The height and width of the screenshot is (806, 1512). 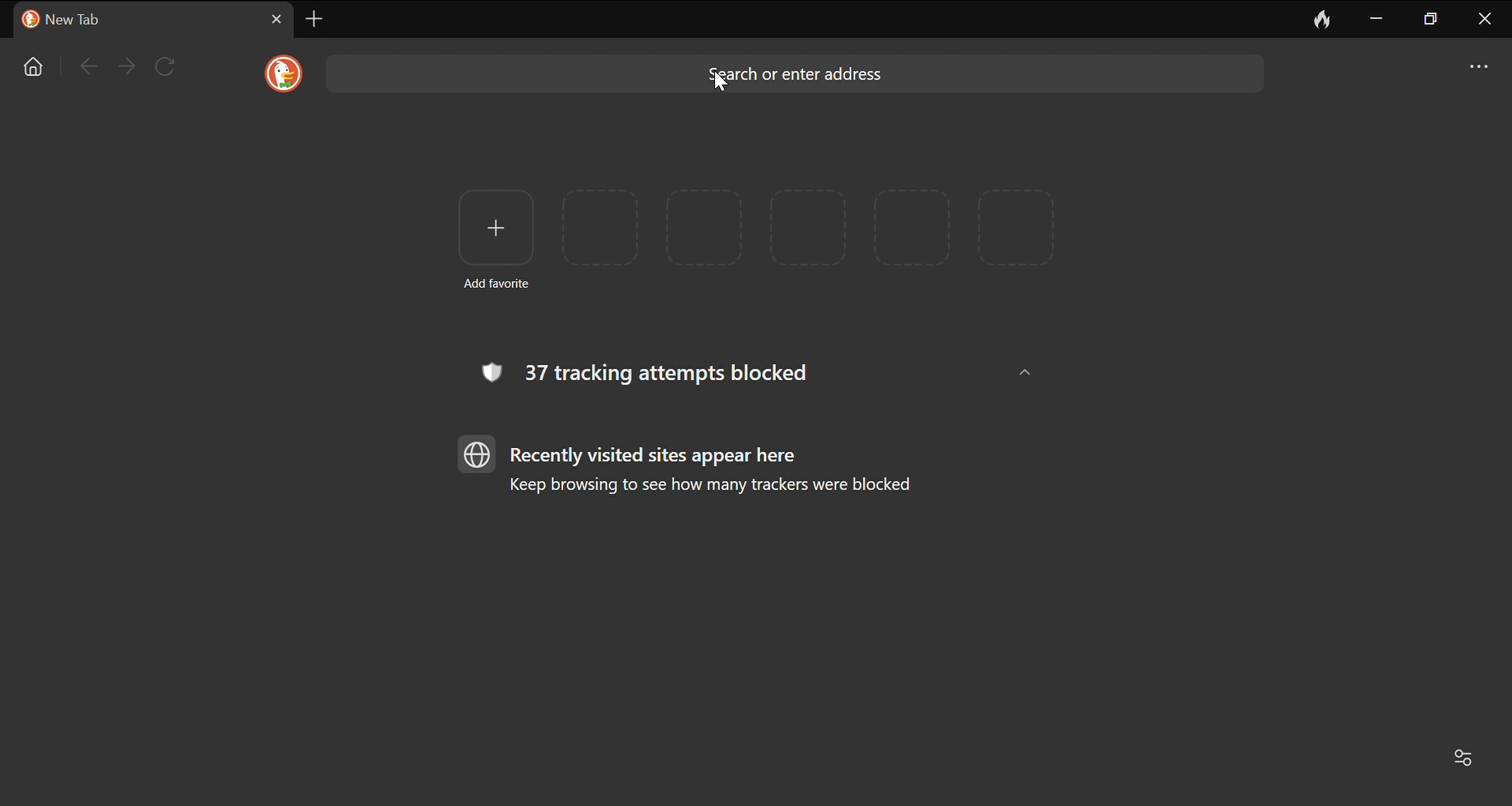 I want to click on Customize, so click(x=1469, y=760).